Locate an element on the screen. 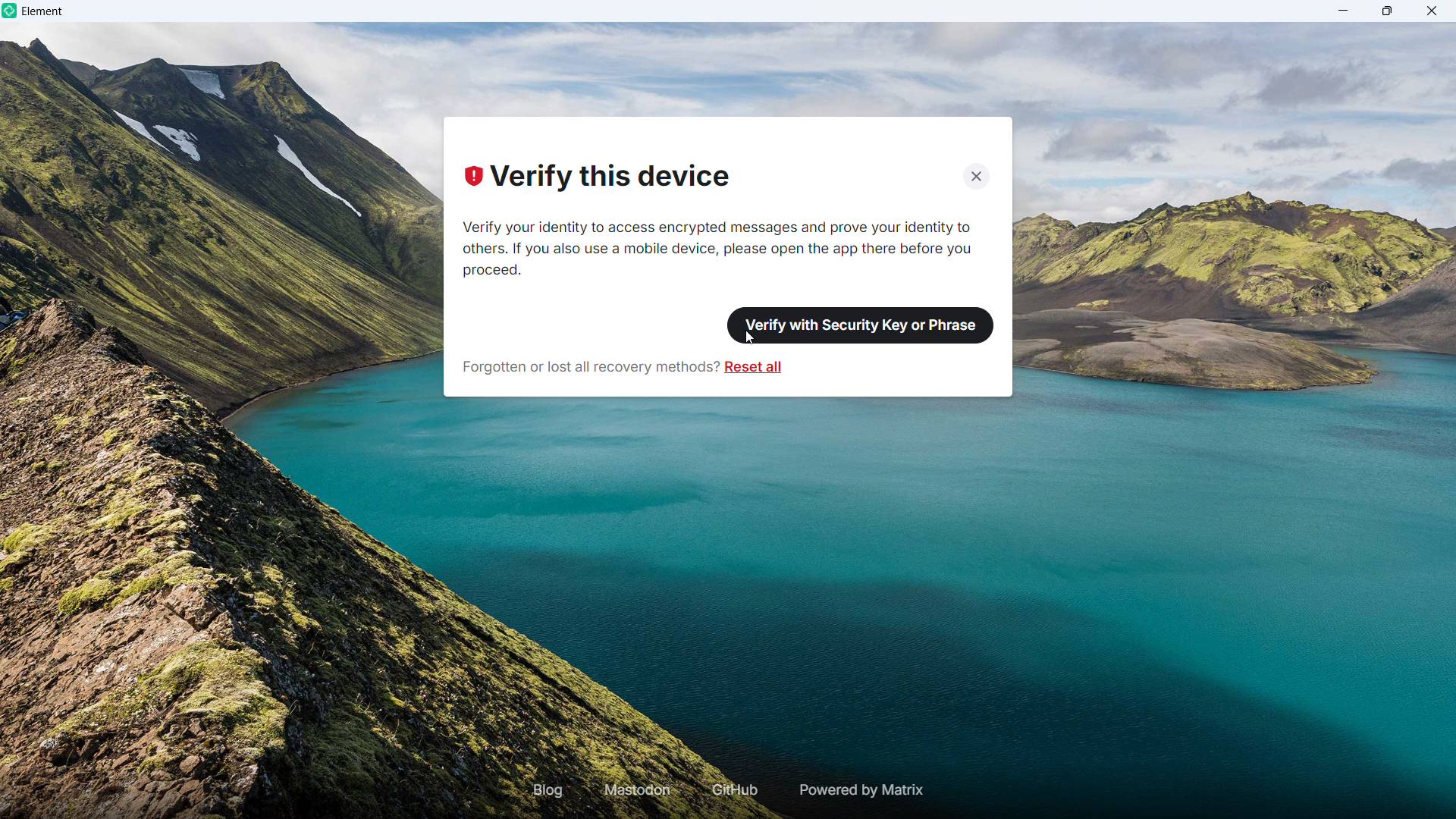  Blog  is located at coordinates (548, 789).